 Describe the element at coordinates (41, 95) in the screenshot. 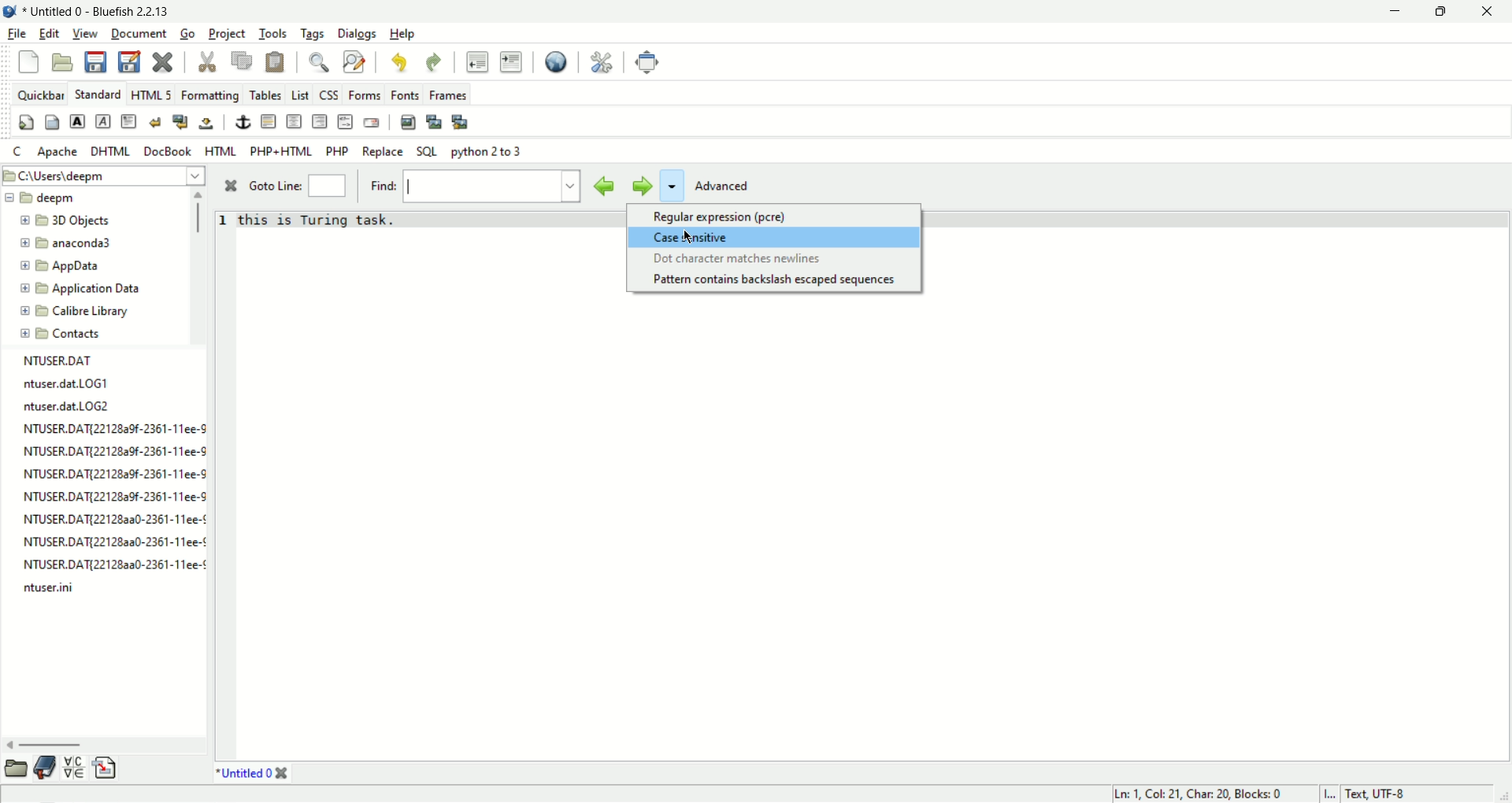

I see `quickbar` at that location.